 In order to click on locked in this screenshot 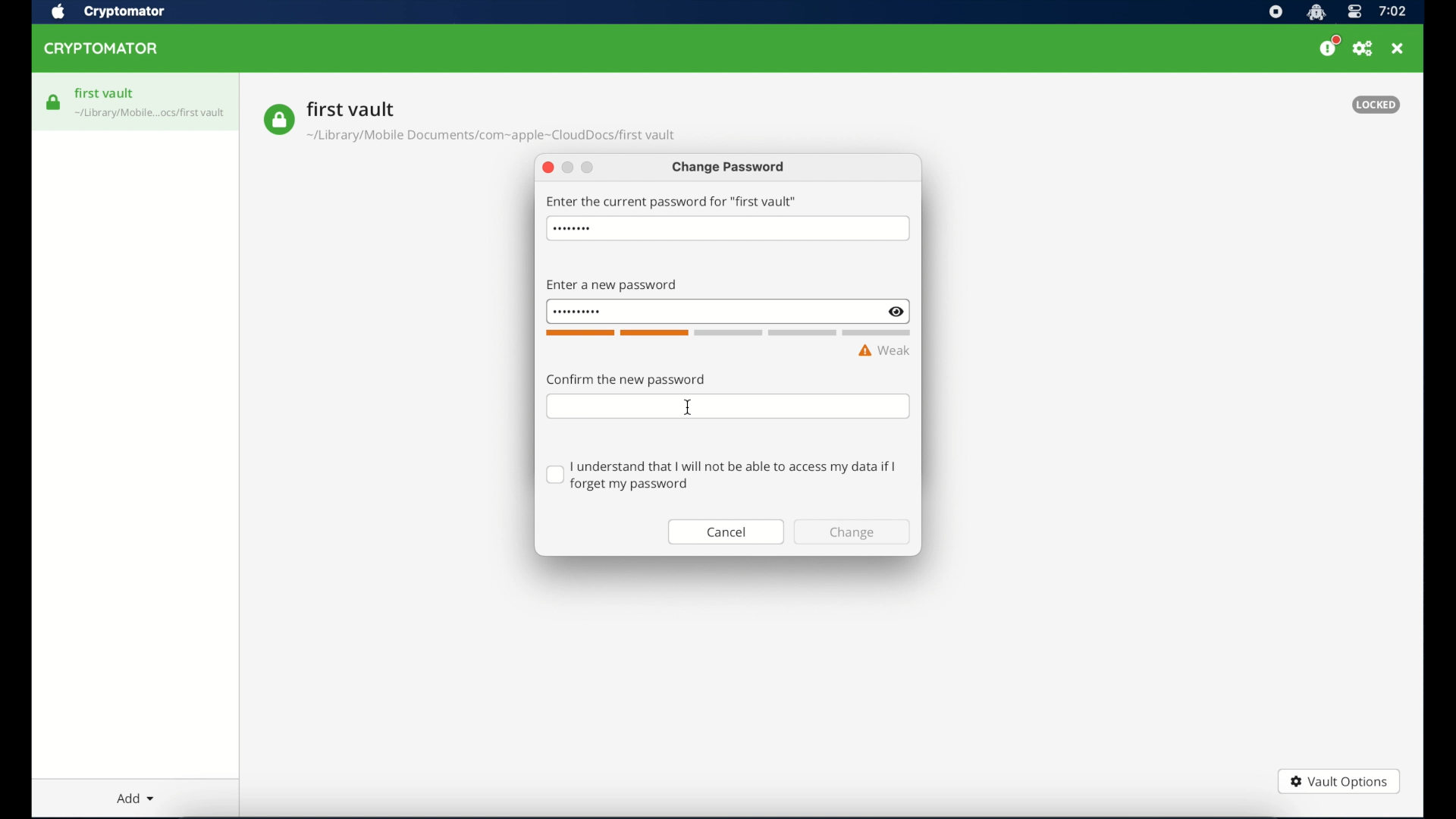, I will do `click(1376, 105)`.